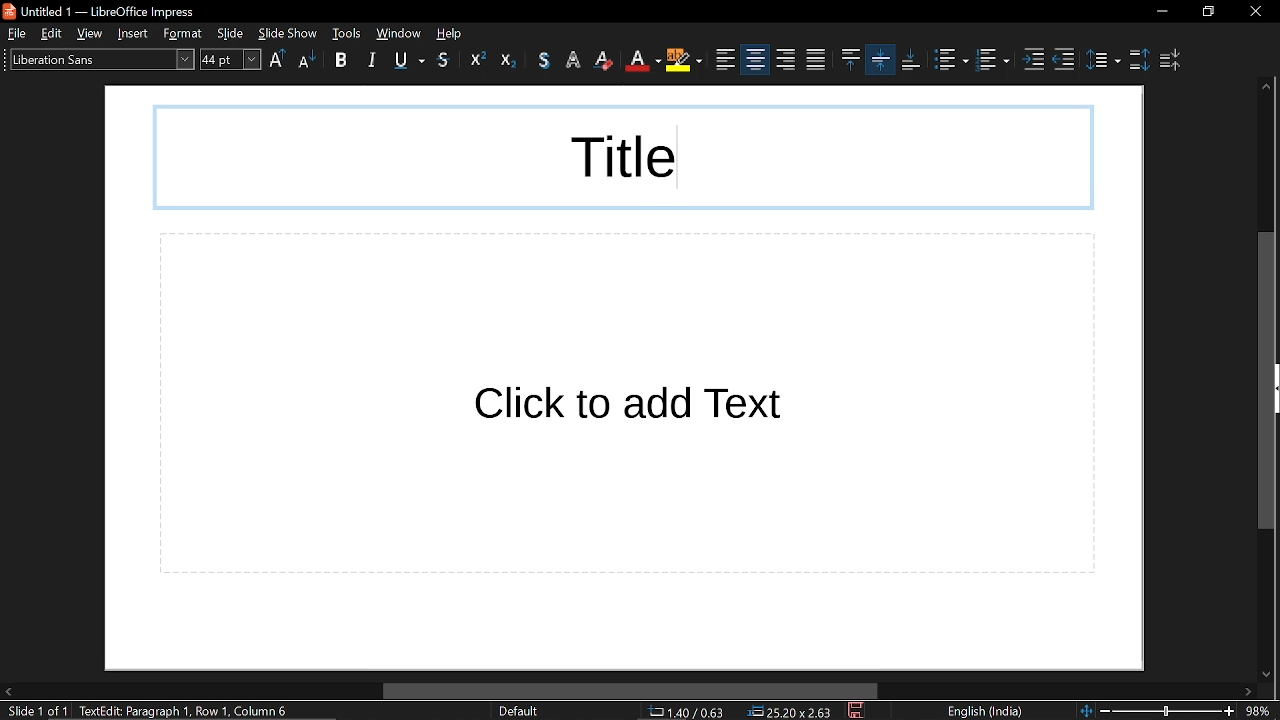 The width and height of the screenshot is (1280, 720). Describe the element at coordinates (622, 157) in the screenshot. I see `click to add title` at that location.